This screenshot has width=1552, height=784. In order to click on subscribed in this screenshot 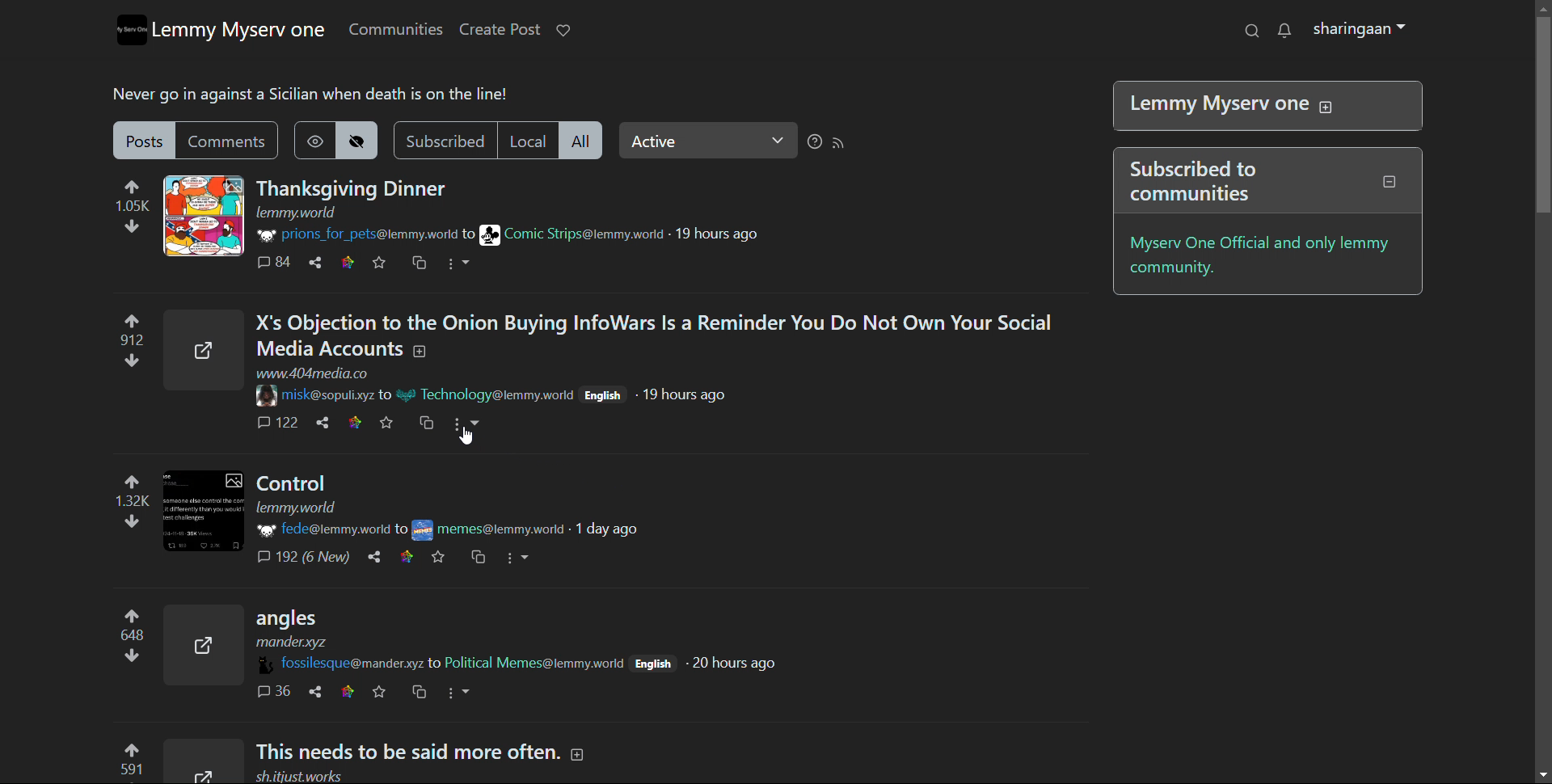, I will do `click(443, 141)`.